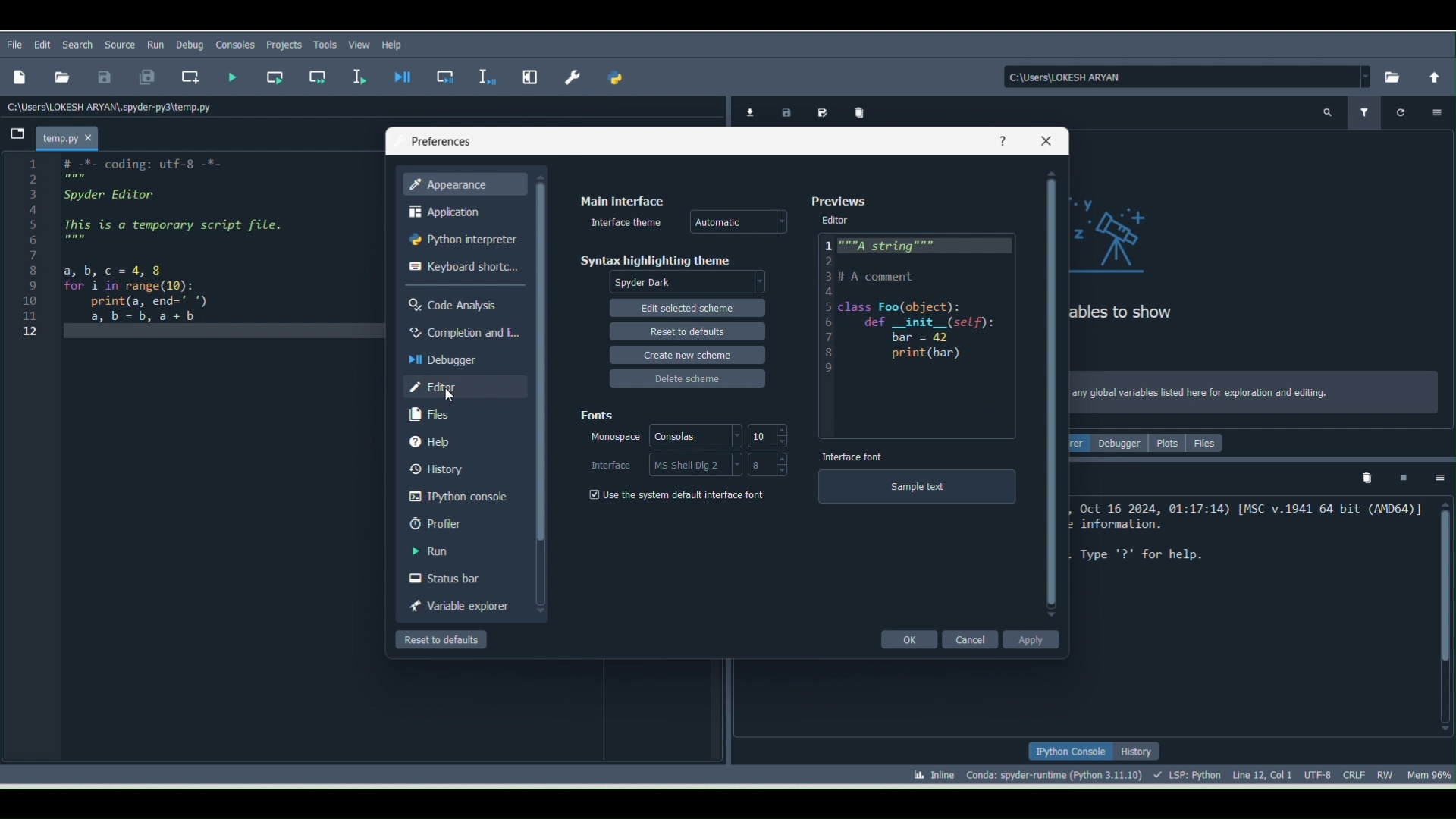 The image size is (1456, 819). I want to click on IPython console, so click(1069, 752).